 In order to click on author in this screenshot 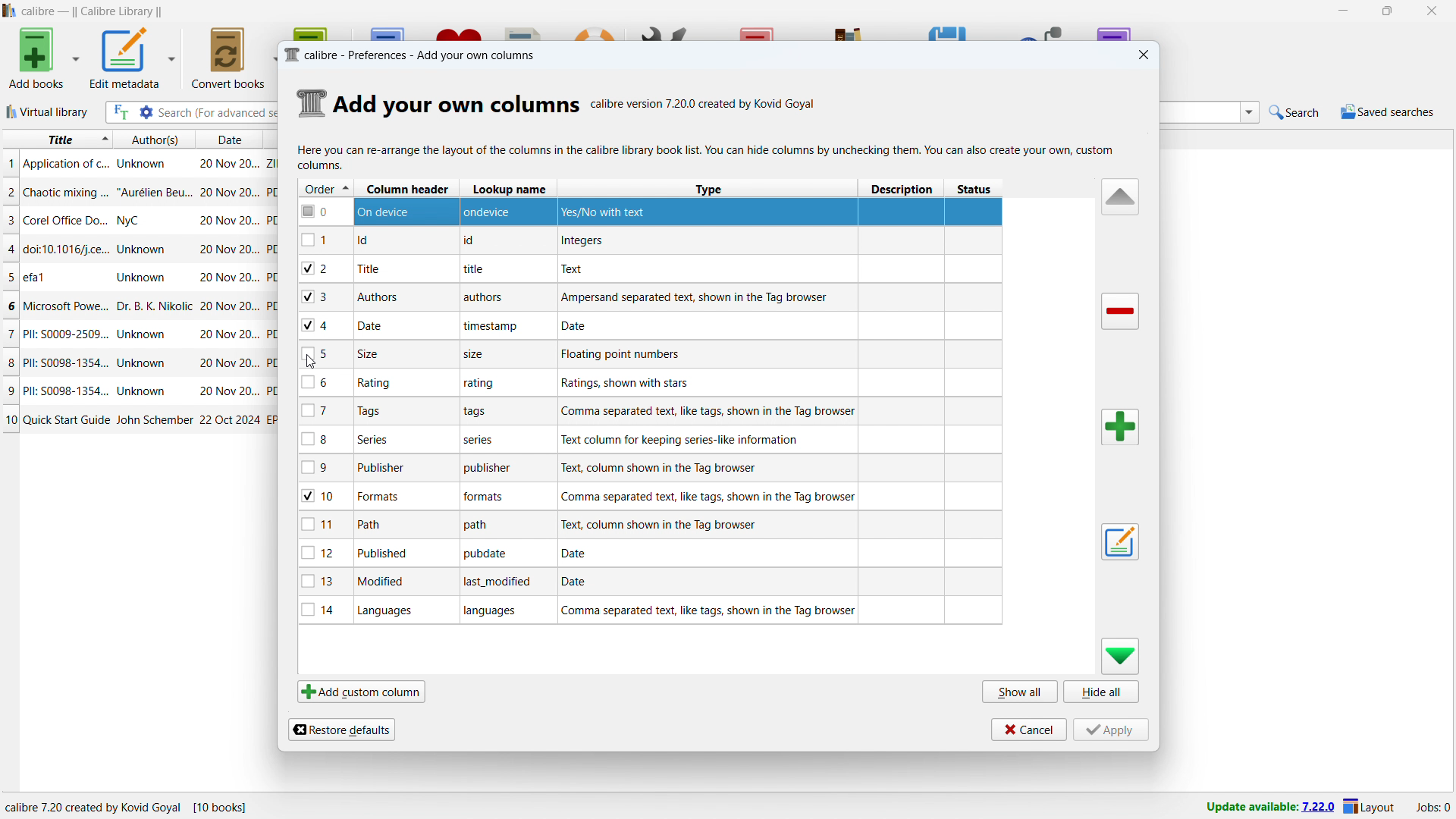, I will do `click(145, 248)`.